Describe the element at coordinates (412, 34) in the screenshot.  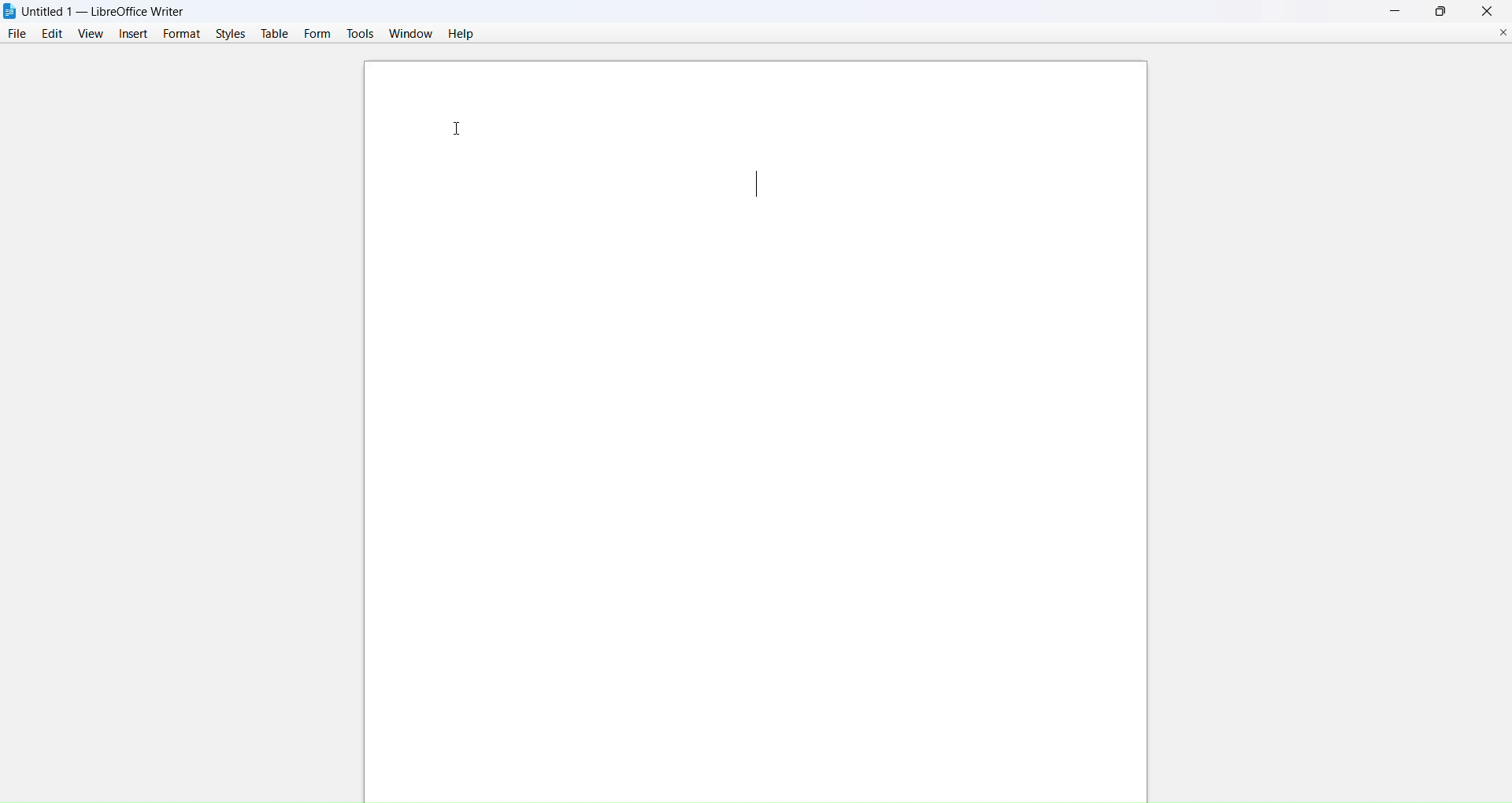
I see `window` at that location.